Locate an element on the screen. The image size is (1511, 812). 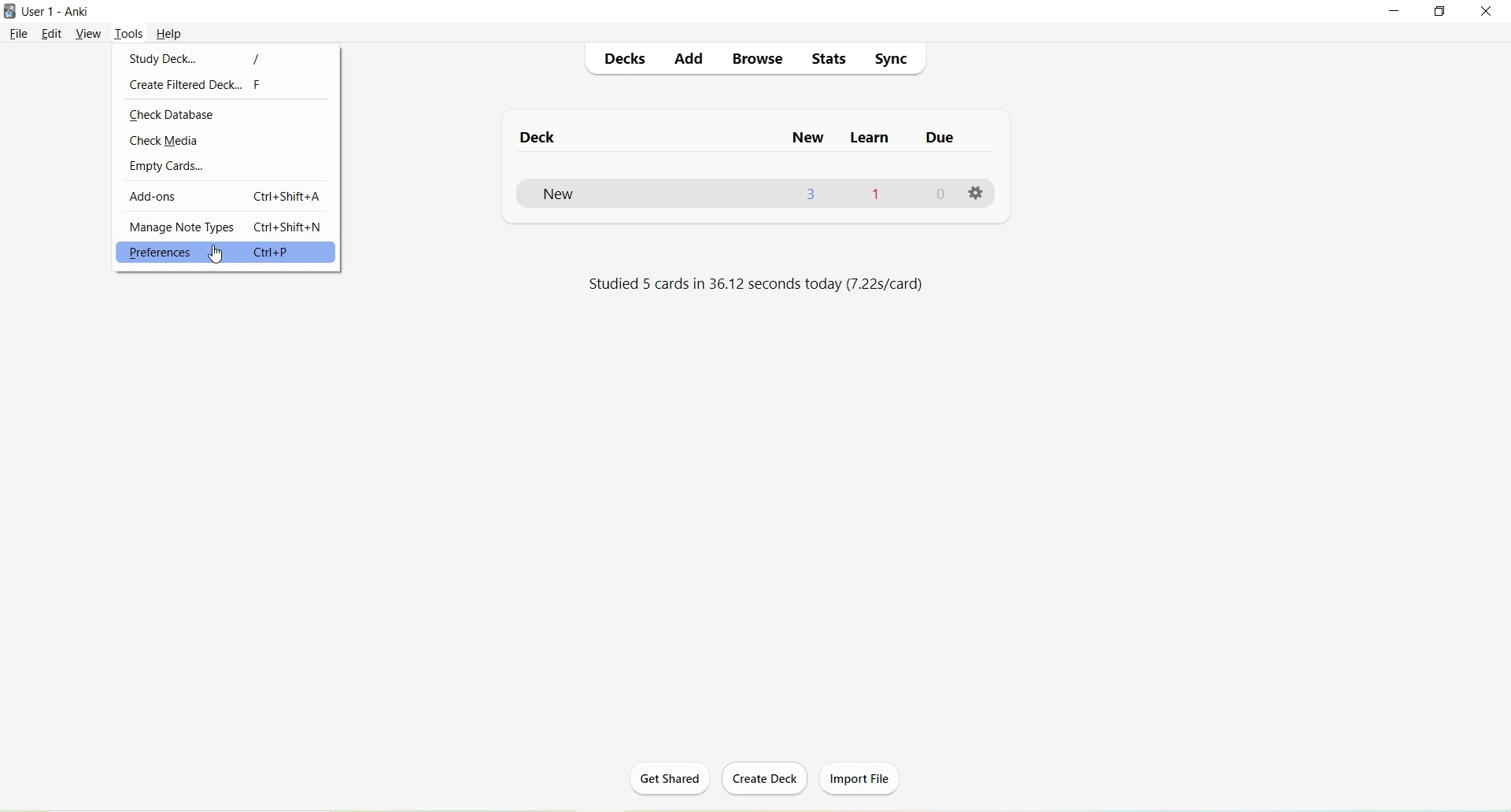
Studied 5 cards in 36.12 seconds today (7.22s/card) is located at coordinates (752, 286).